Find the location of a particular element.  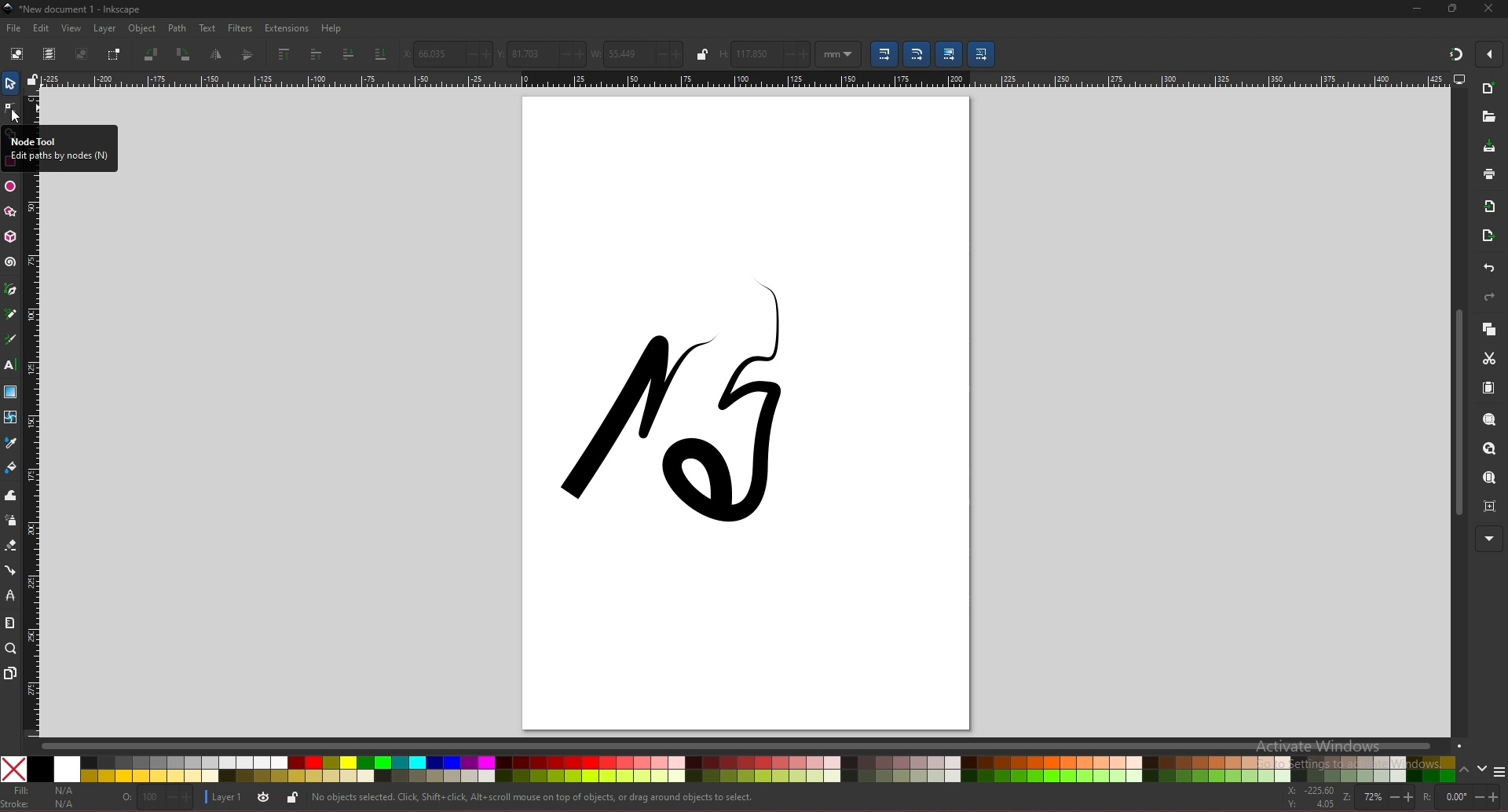

select all from all layers is located at coordinates (49, 54).